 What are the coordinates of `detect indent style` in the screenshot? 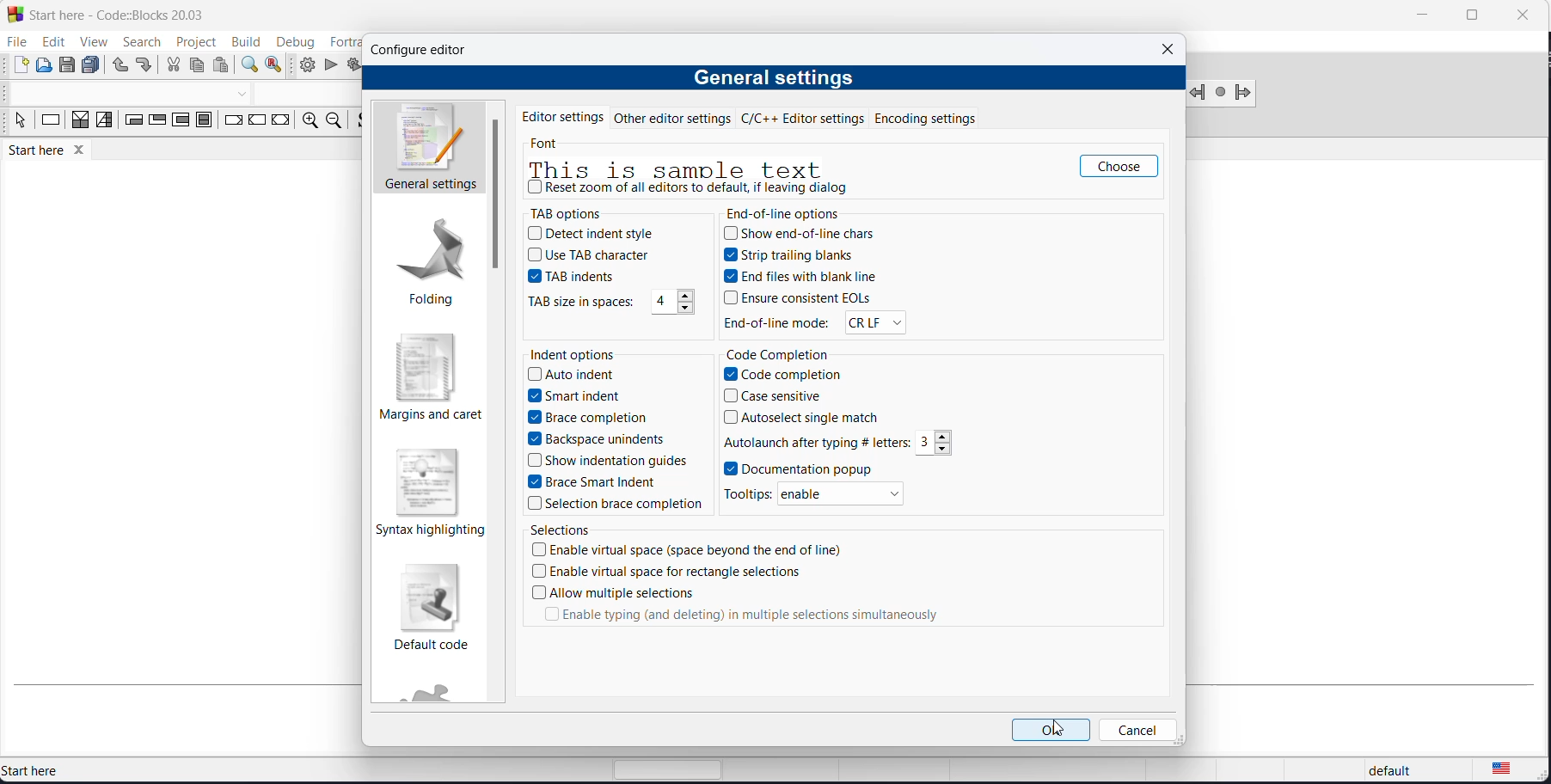 It's located at (598, 234).